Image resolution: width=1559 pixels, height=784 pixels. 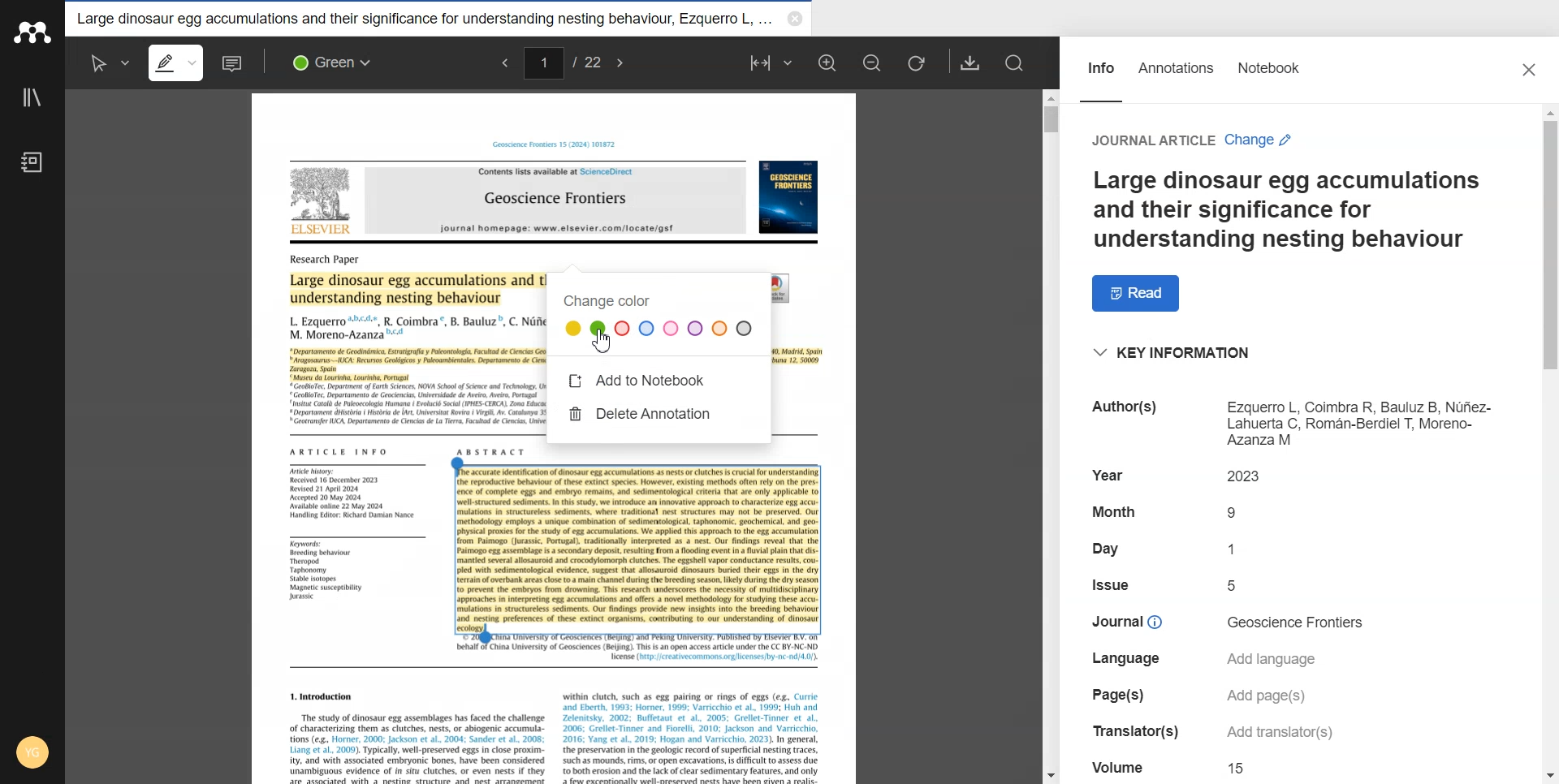 I want to click on Highlight text, so click(x=176, y=62).